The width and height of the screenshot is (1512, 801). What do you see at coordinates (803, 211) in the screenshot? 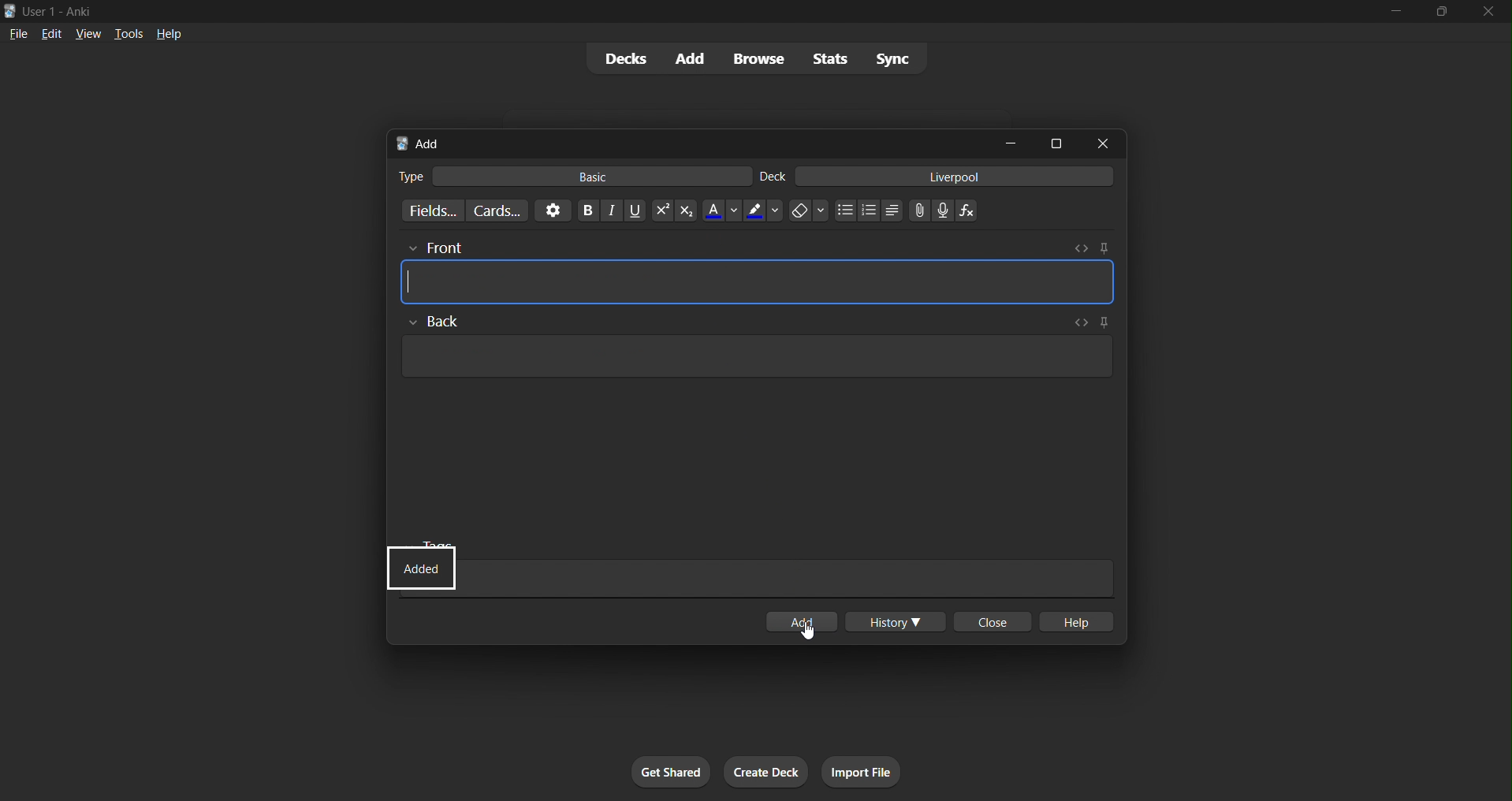
I see `erase formatting` at bounding box center [803, 211].